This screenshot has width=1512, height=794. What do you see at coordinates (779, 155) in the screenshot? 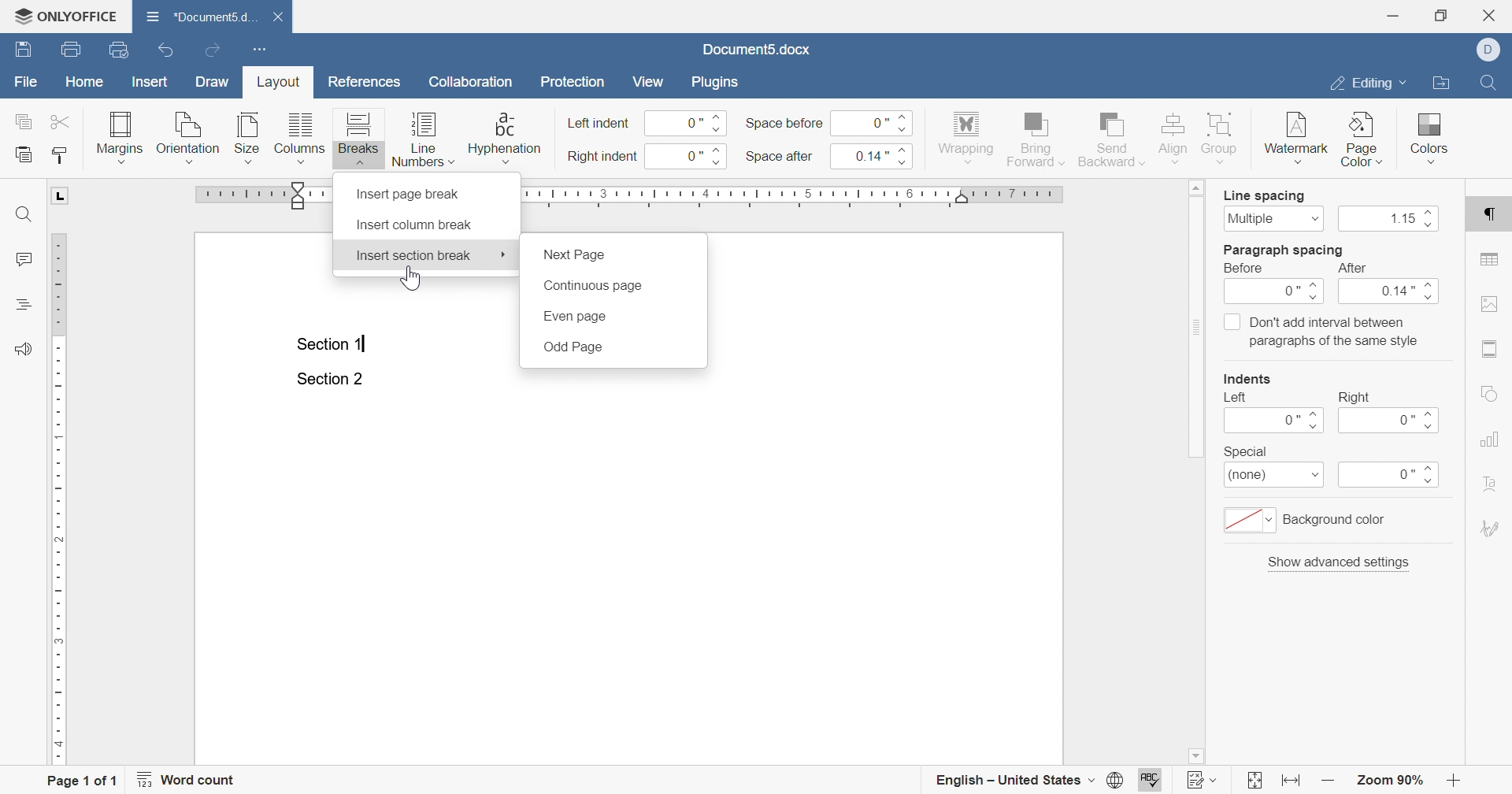
I see `space after` at bounding box center [779, 155].